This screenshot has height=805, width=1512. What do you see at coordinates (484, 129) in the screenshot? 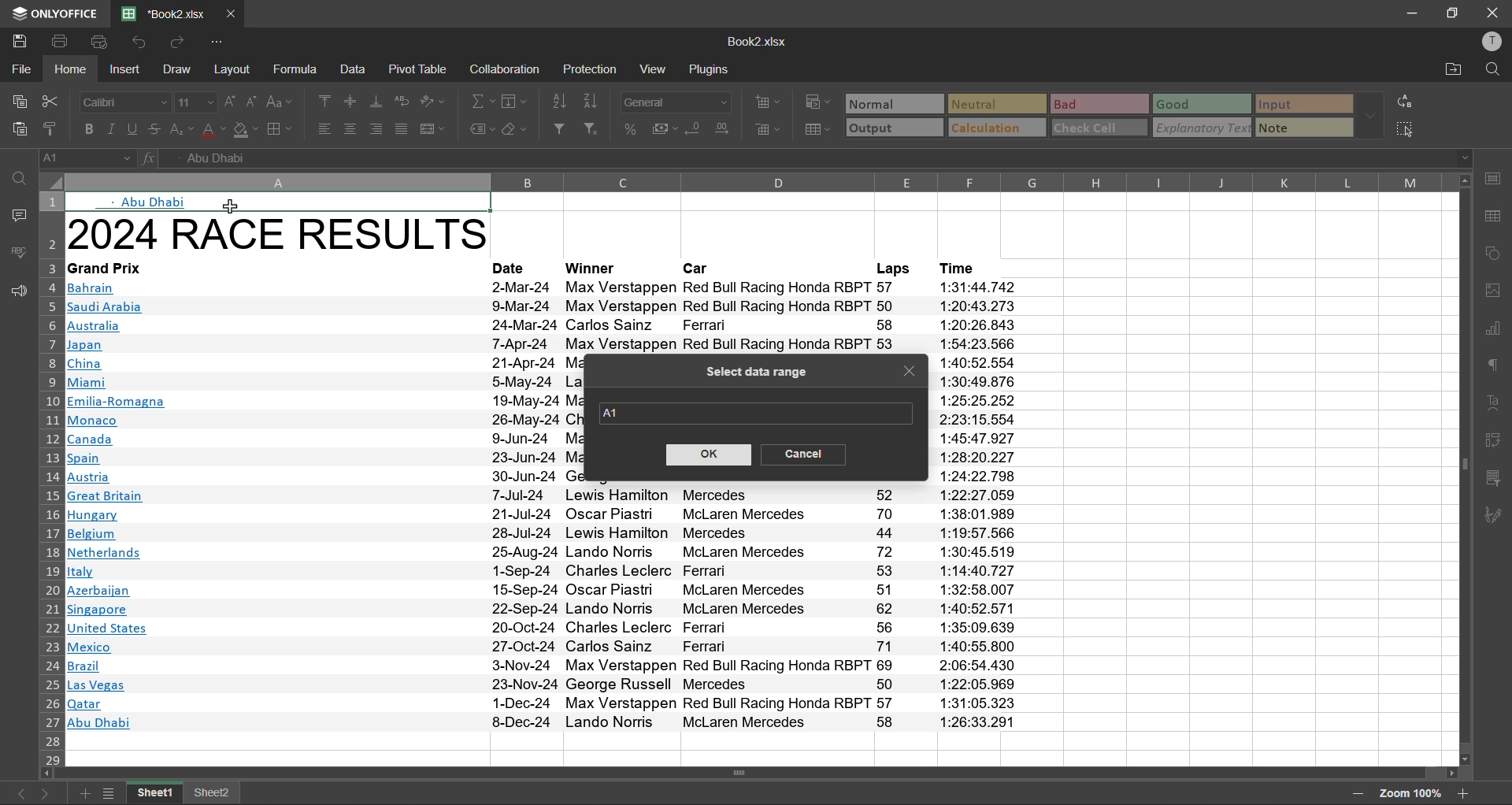
I see `named ranges` at bounding box center [484, 129].